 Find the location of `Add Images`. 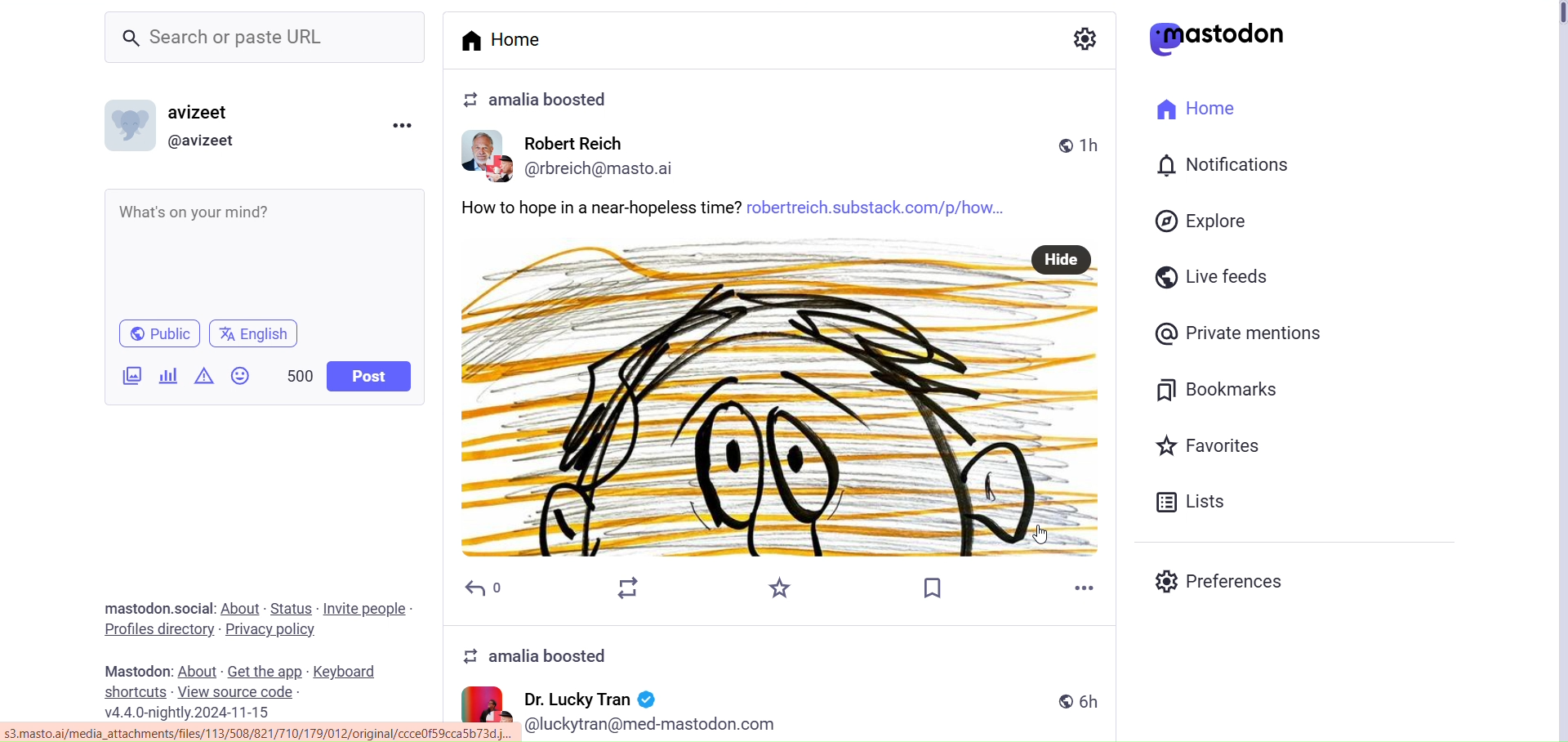

Add Images is located at coordinates (131, 378).